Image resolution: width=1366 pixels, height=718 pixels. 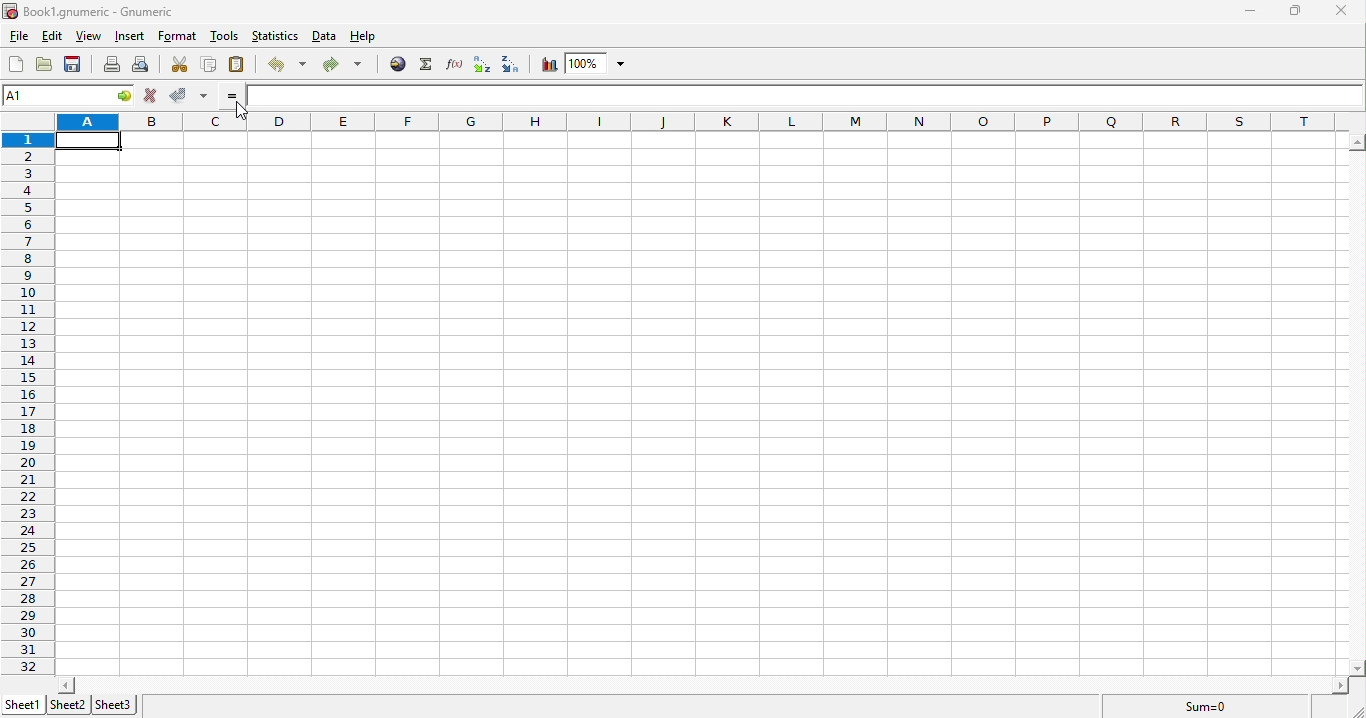 I want to click on new, so click(x=16, y=65).